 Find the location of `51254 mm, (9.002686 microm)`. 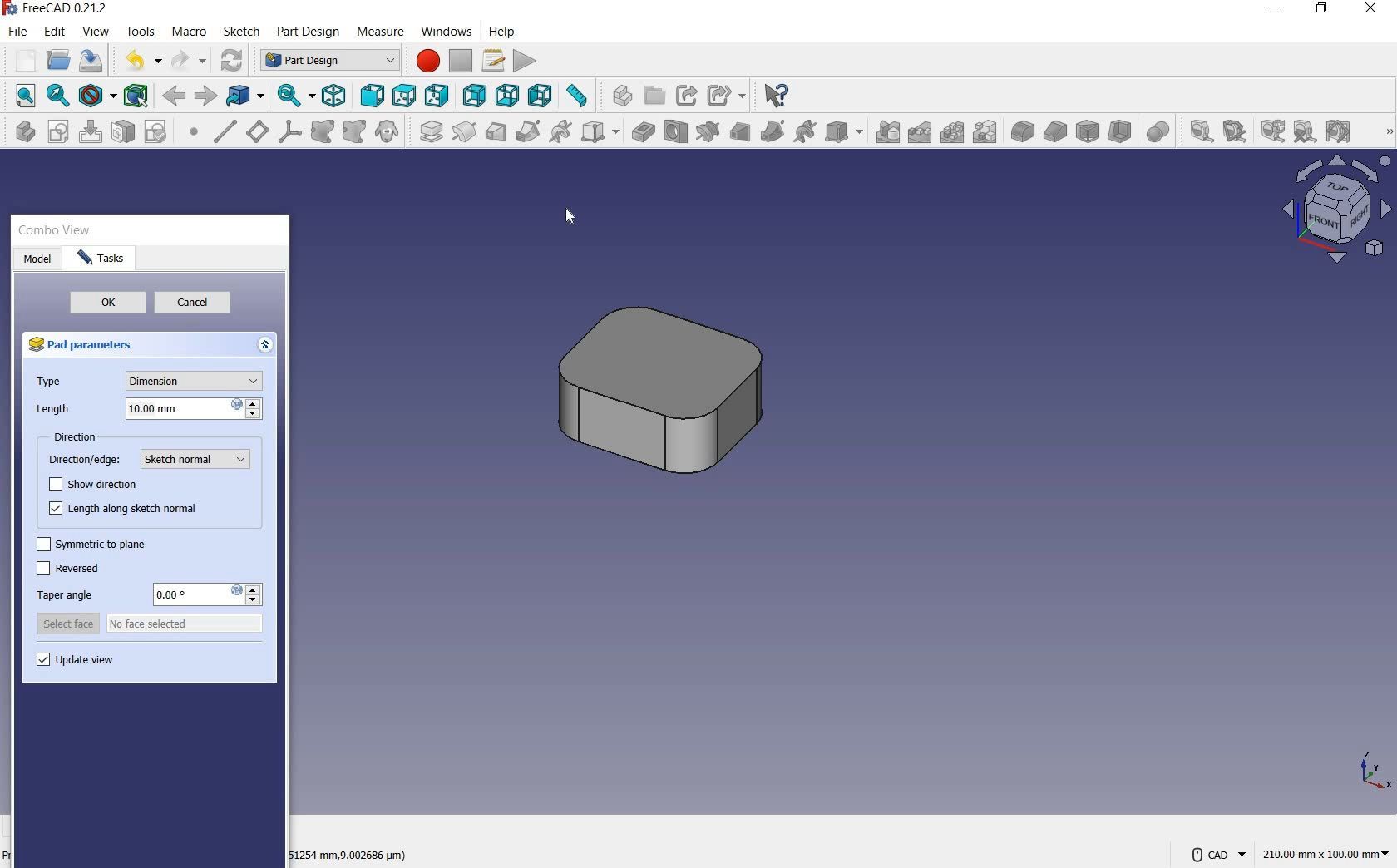

51254 mm, (9.002686 microm) is located at coordinates (349, 857).